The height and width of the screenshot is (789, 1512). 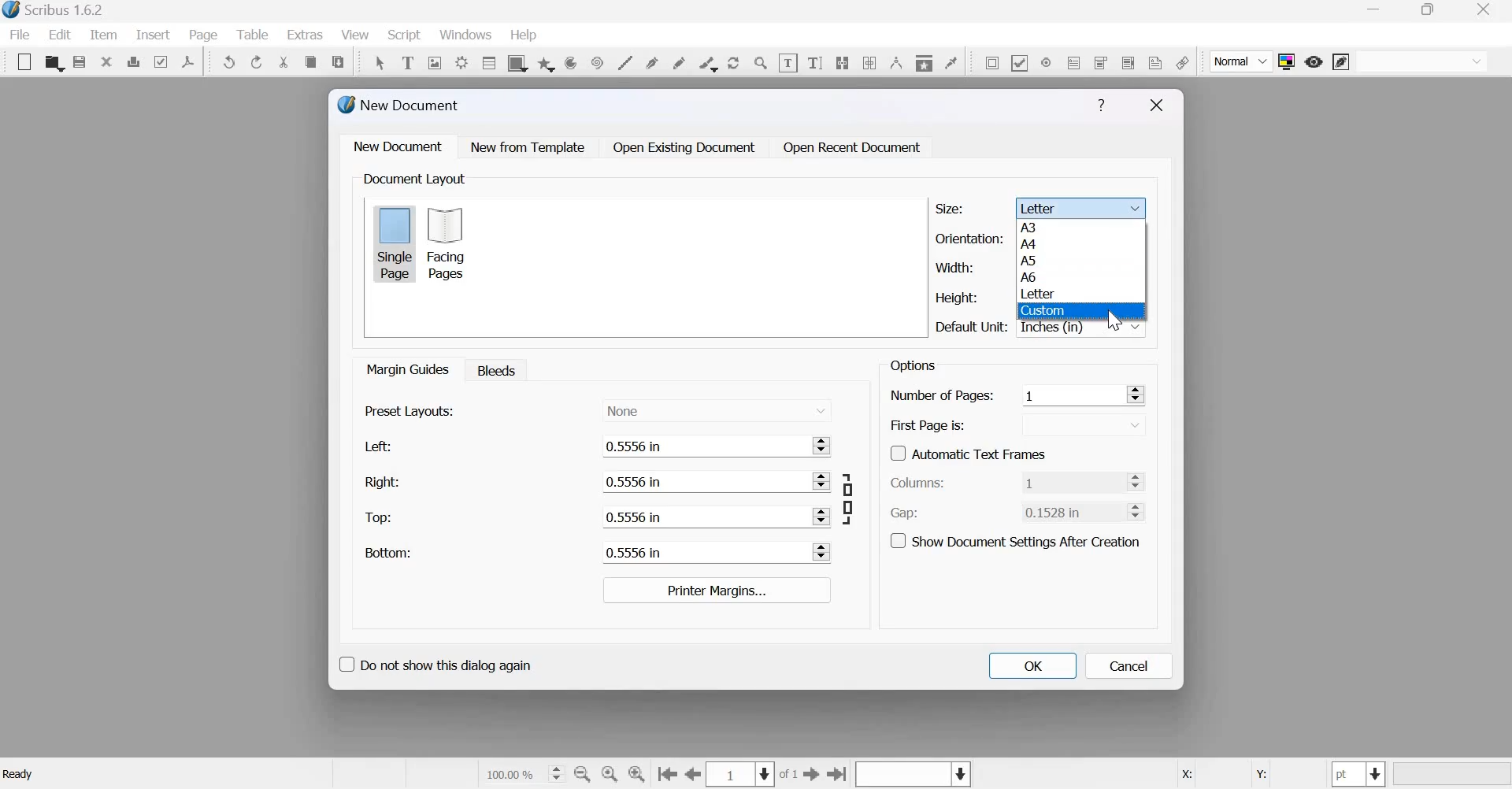 What do you see at coordinates (24, 35) in the screenshot?
I see `File` at bounding box center [24, 35].